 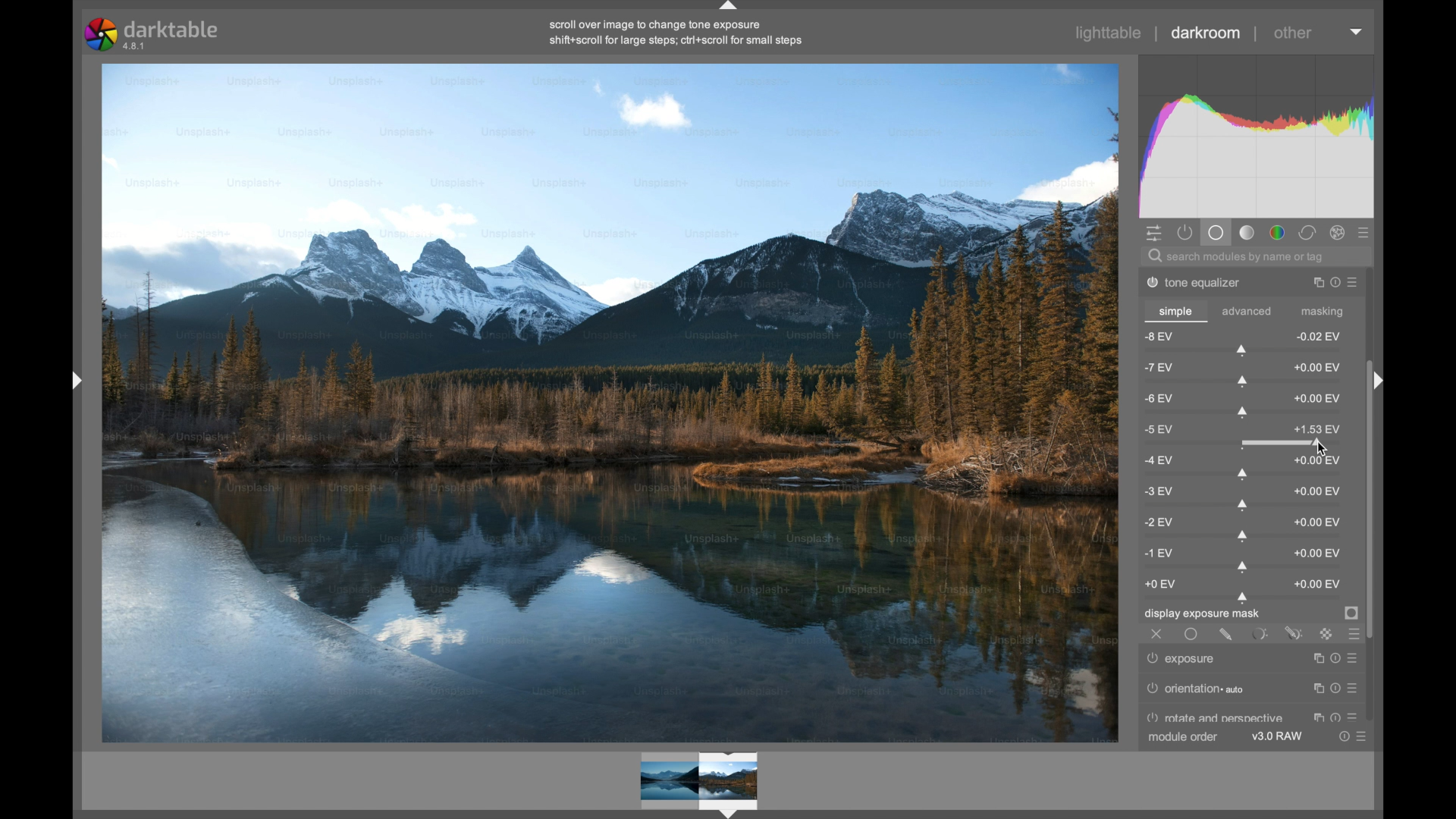 What do you see at coordinates (1292, 634) in the screenshot?
I see `drawn and parametric mask` at bounding box center [1292, 634].